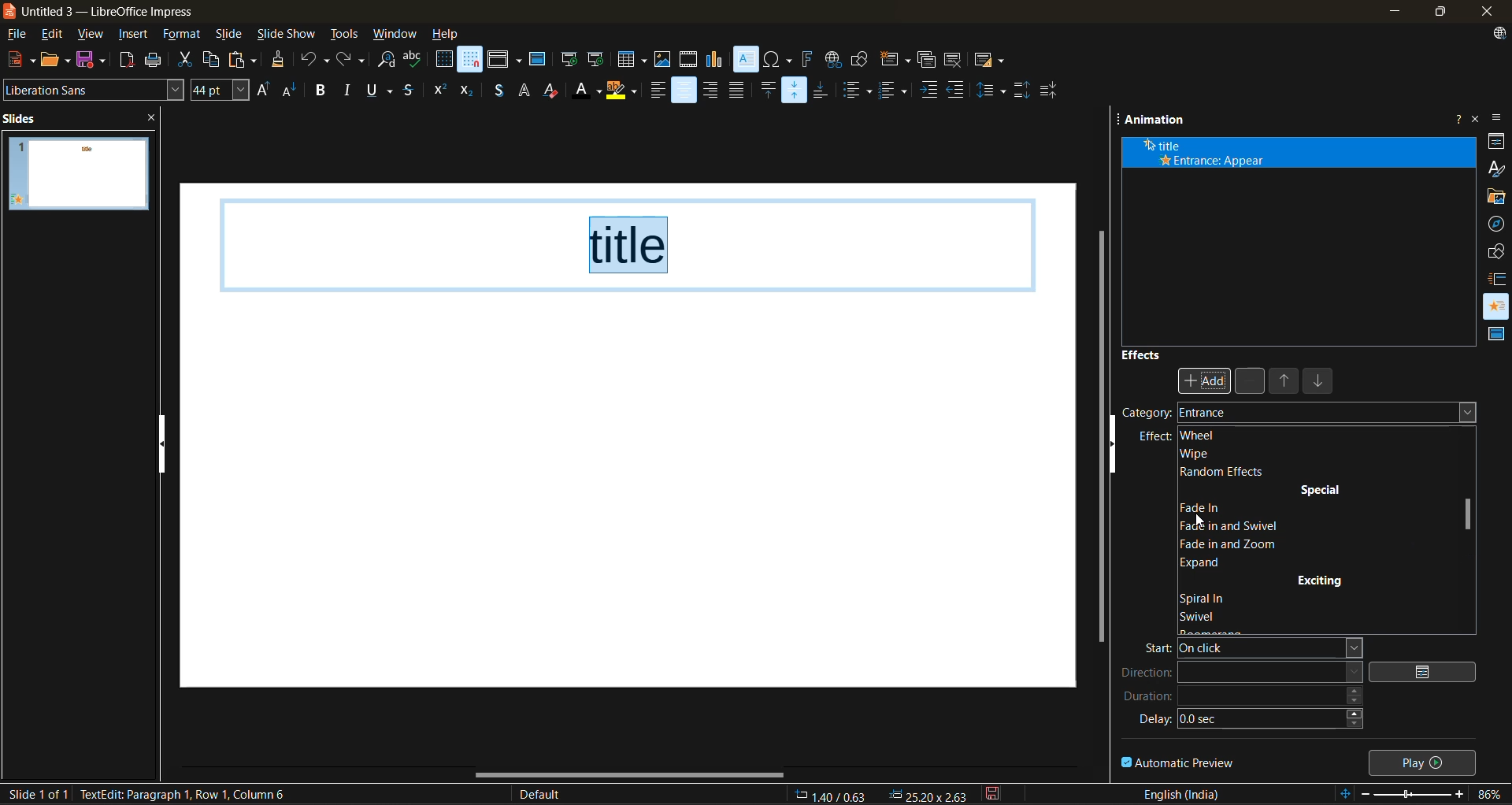 The width and height of the screenshot is (1512, 805). Describe the element at coordinates (689, 61) in the screenshot. I see `insert audio or video` at that location.